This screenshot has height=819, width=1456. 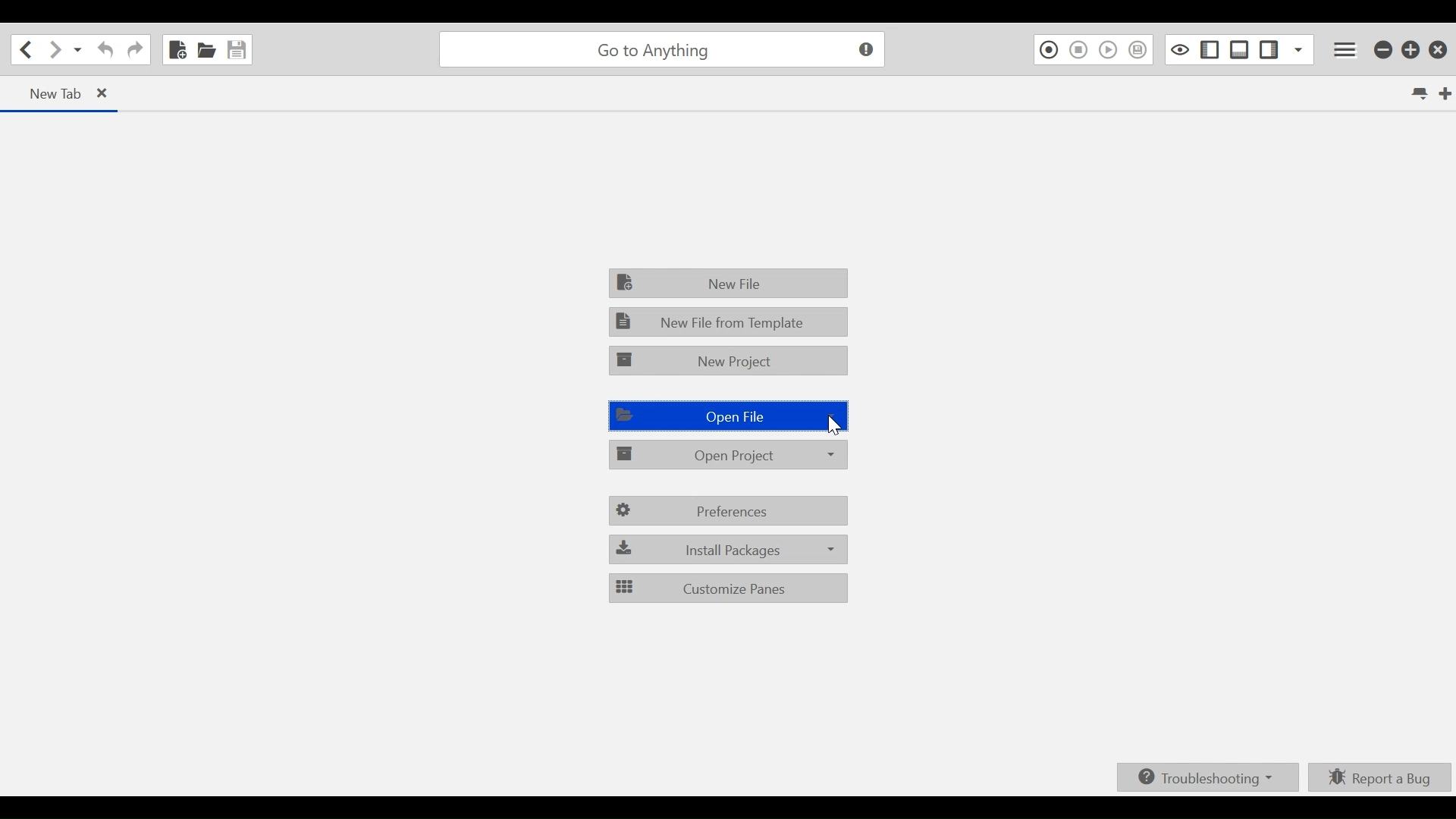 I want to click on Save File, so click(x=237, y=49).